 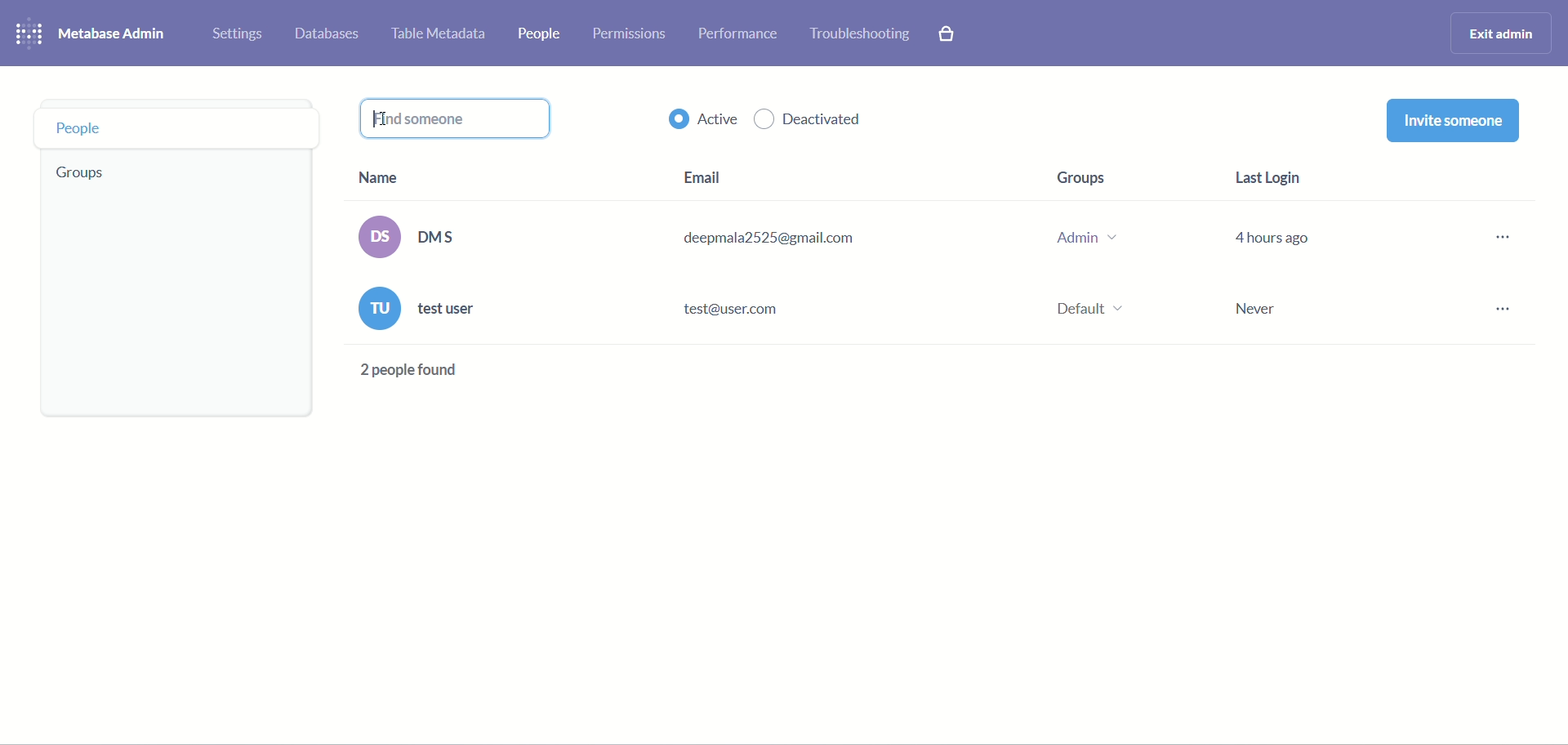 I want to click on exit admin, so click(x=1498, y=33).